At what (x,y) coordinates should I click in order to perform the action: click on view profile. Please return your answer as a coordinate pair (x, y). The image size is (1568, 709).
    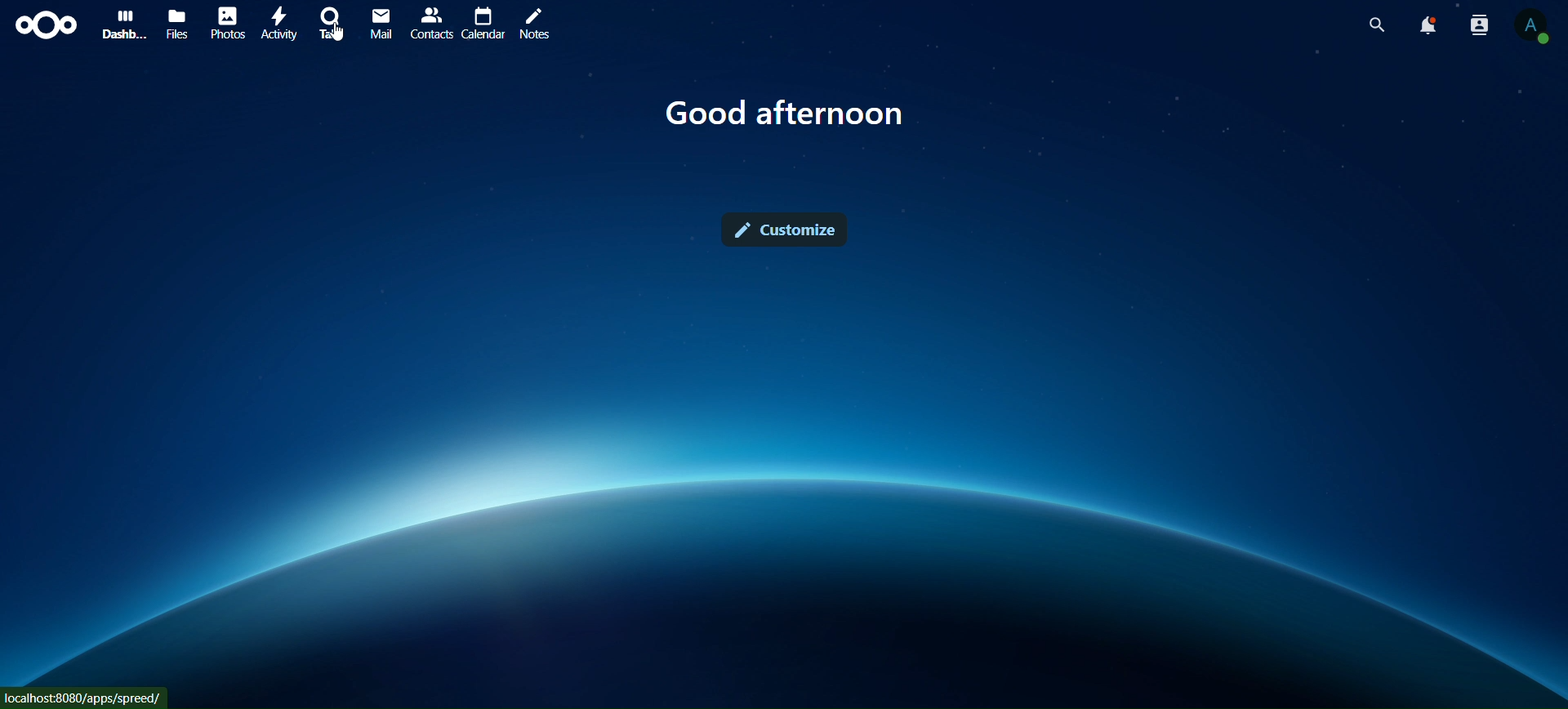
    Looking at the image, I should click on (1530, 28).